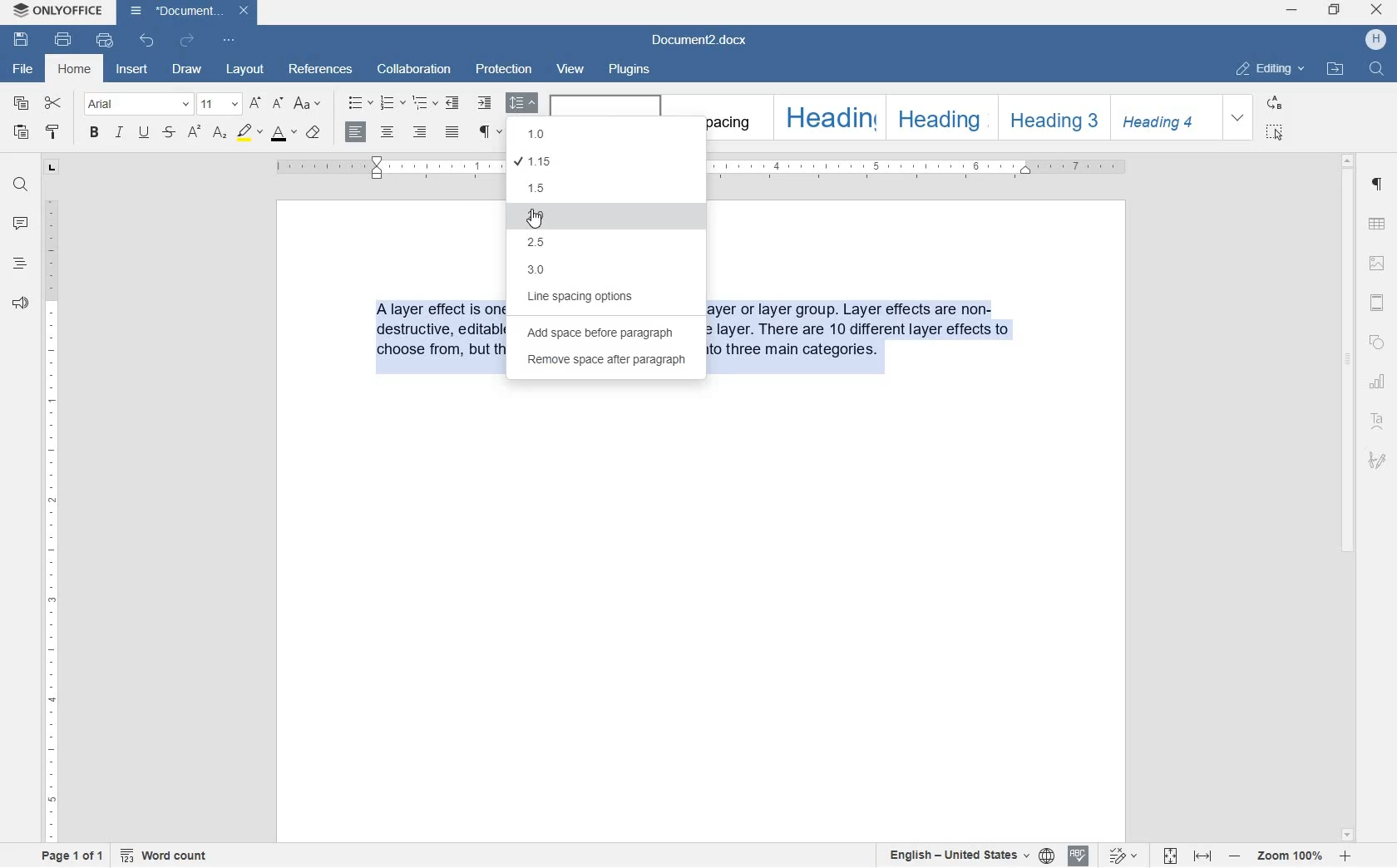 The image size is (1397, 868). I want to click on select all , so click(1276, 131).